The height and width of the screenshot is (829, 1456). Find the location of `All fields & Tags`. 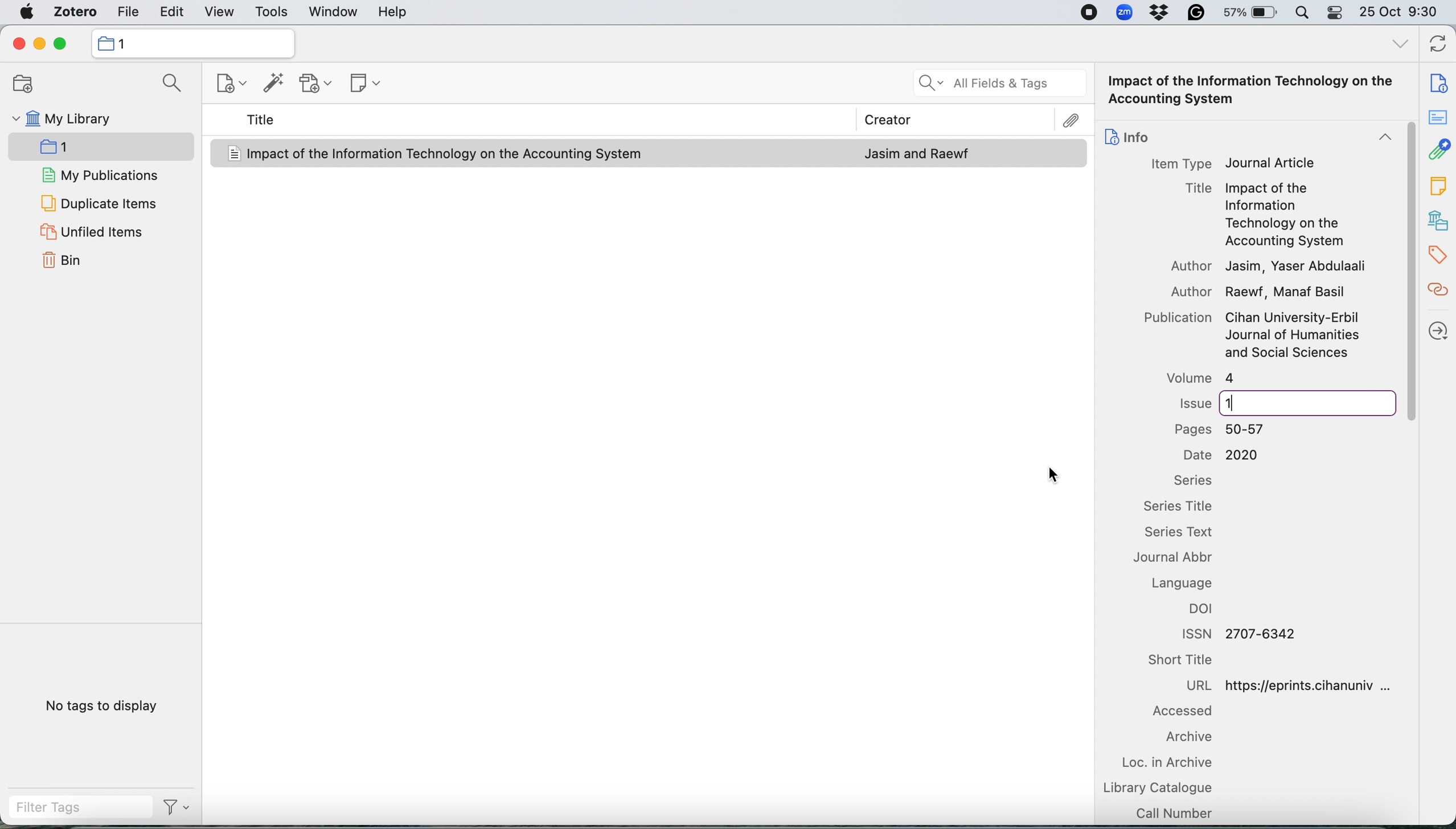

All fields & Tags is located at coordinates (998, 84).